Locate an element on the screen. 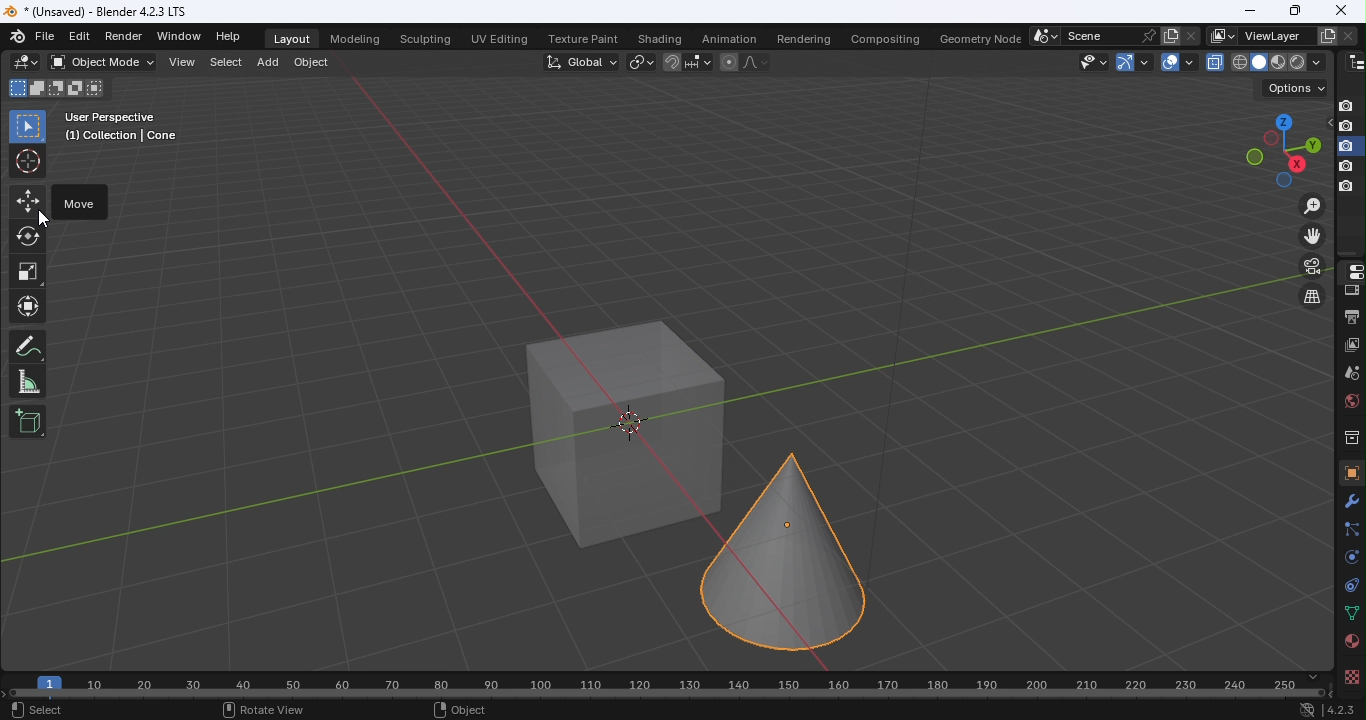  Select is located at coordinates (37, 711).